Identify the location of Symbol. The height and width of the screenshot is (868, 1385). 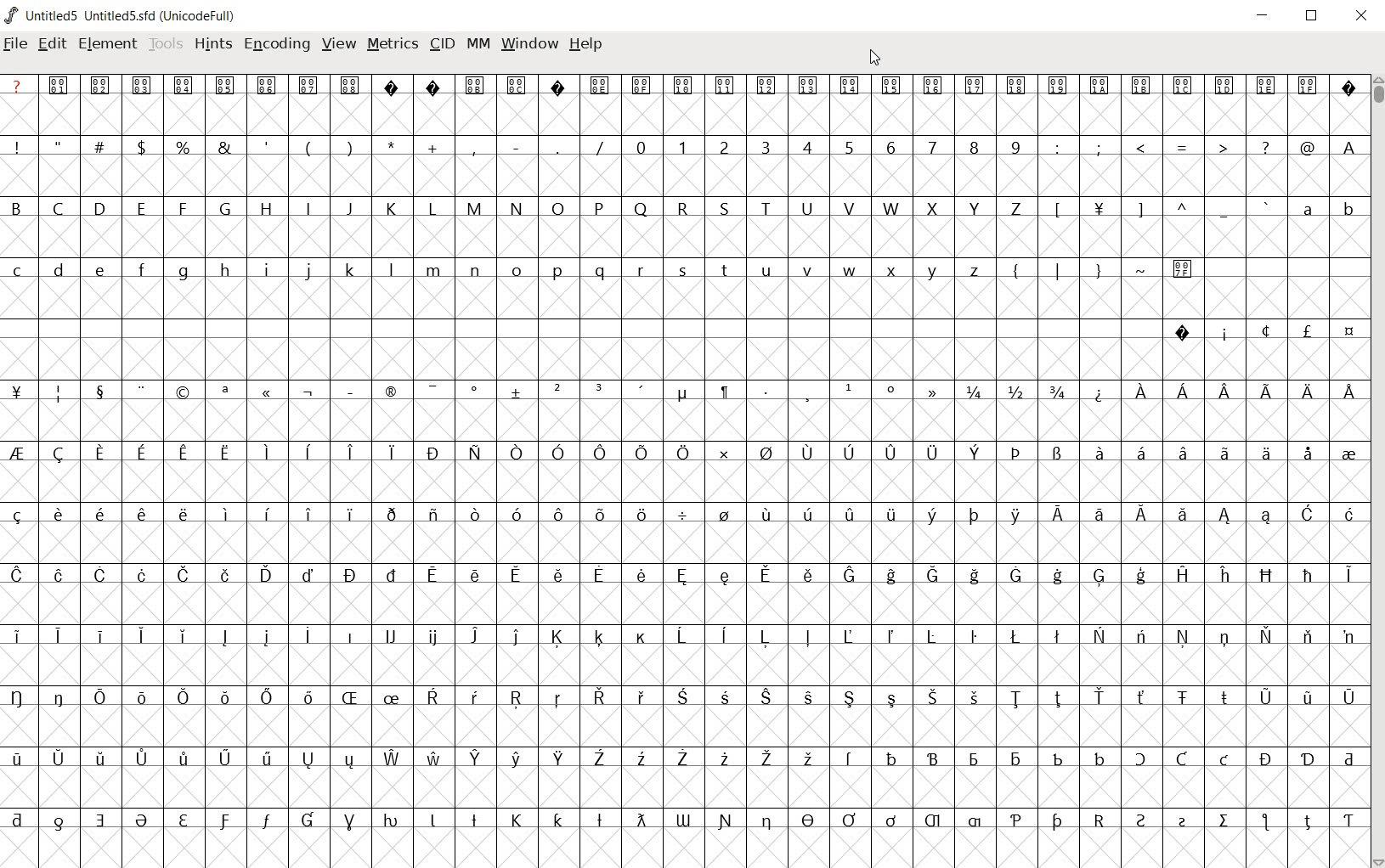
(1225, 454).